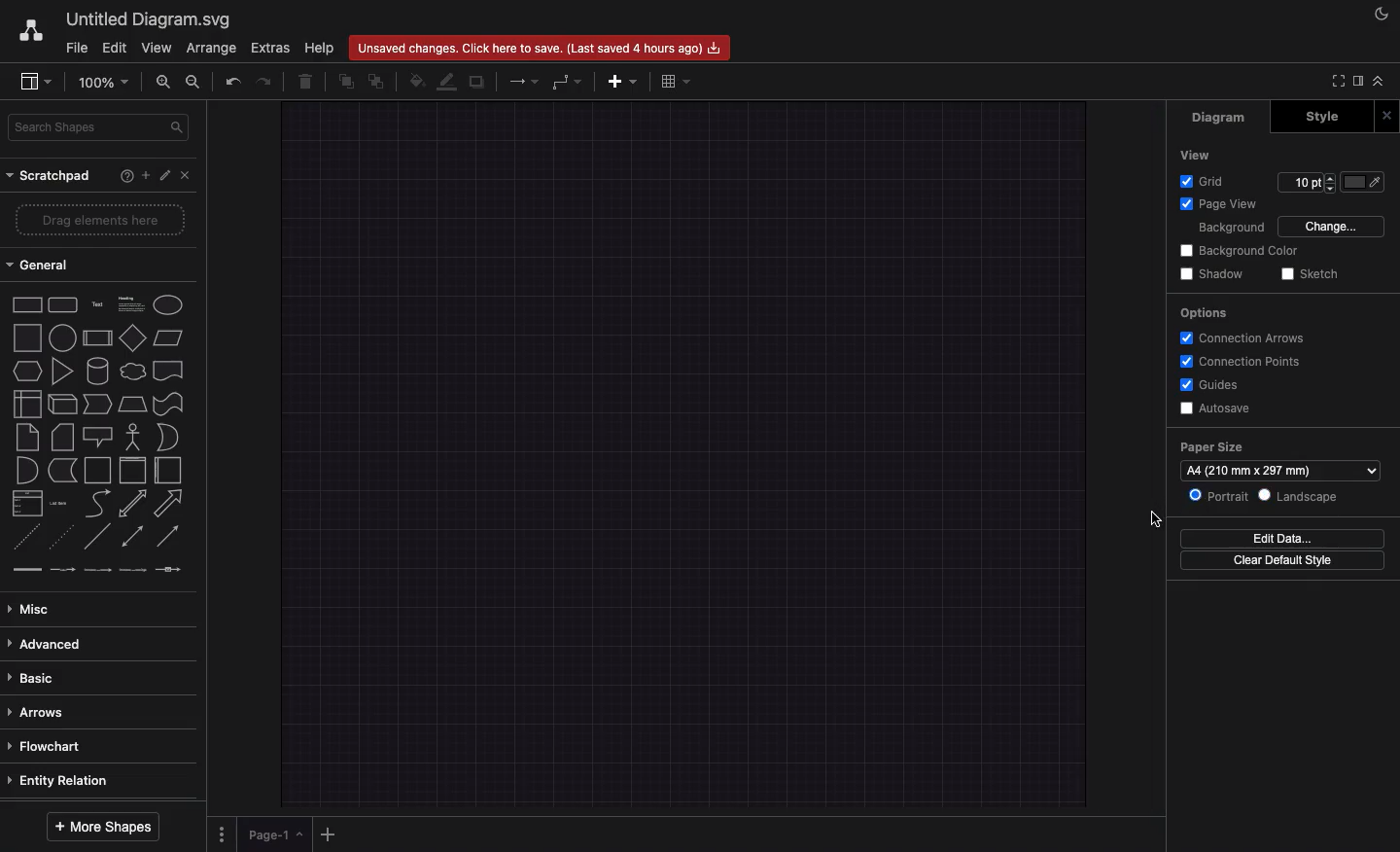 The width and height of the screenshot is (1400, 852). What do you see at coordinates (1280, 562) in the screenshot?
I see `Clear default style` at bounding box center [1280, 562].